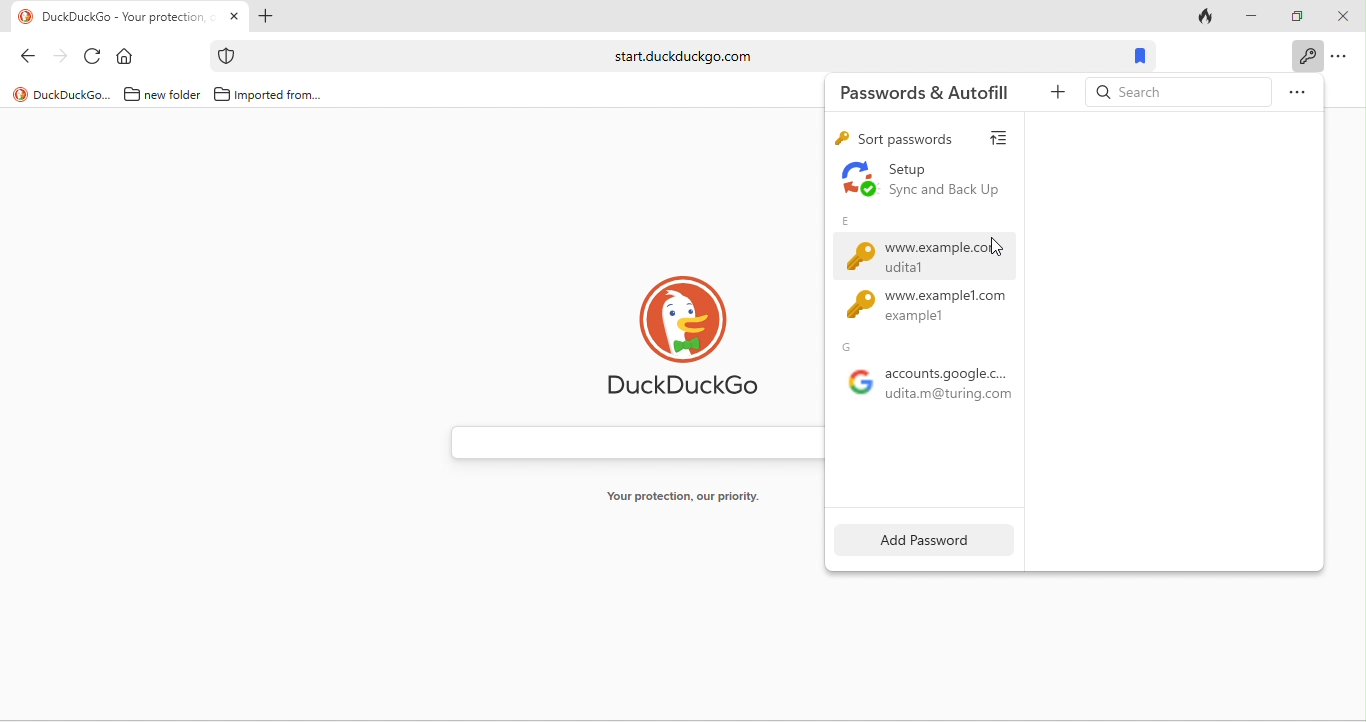  I want to click on search bar, so click(631, 442).